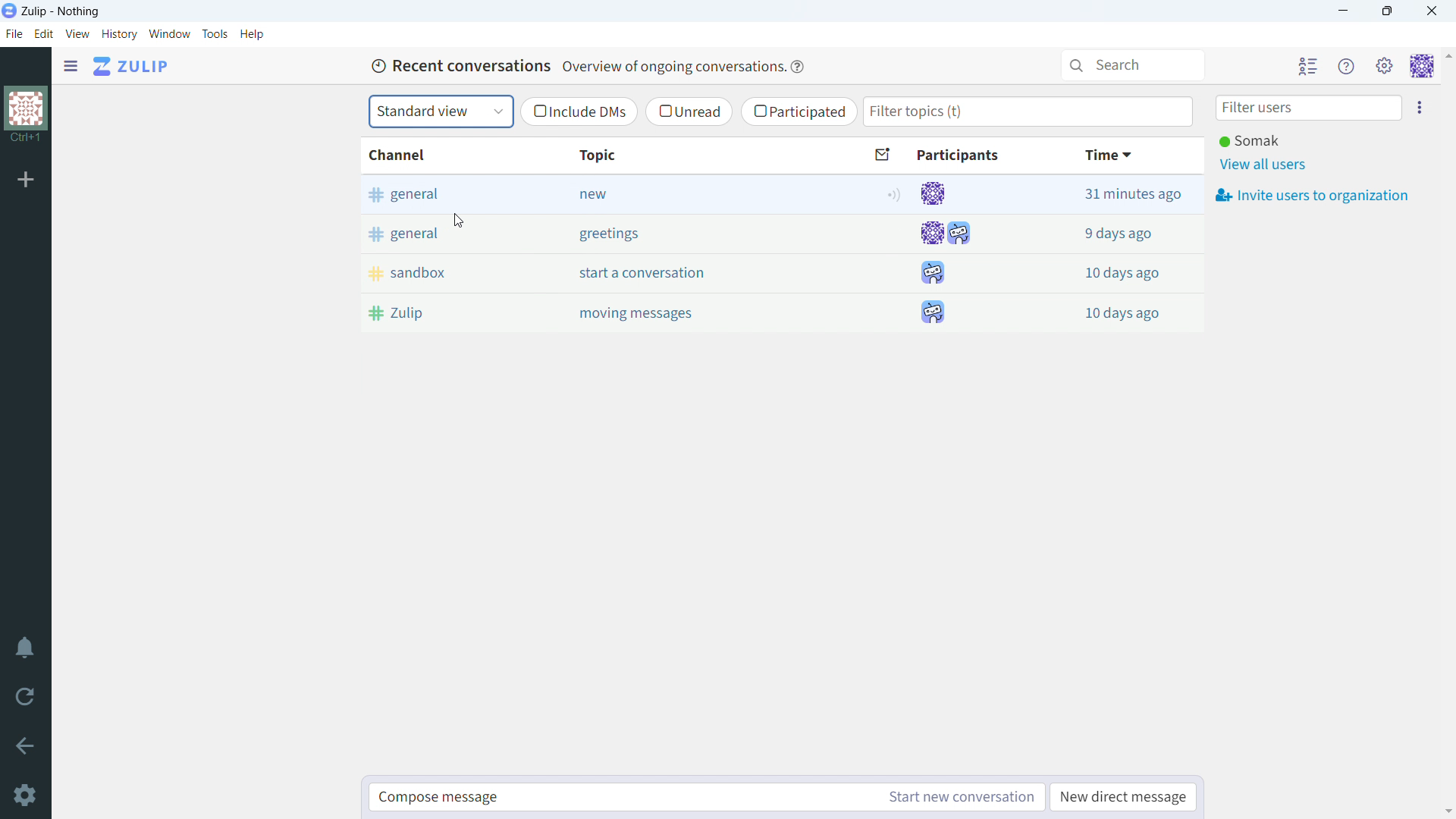 The height and width of the screenshot is (819, 1456). I want to click on follow, so click(891, 195).